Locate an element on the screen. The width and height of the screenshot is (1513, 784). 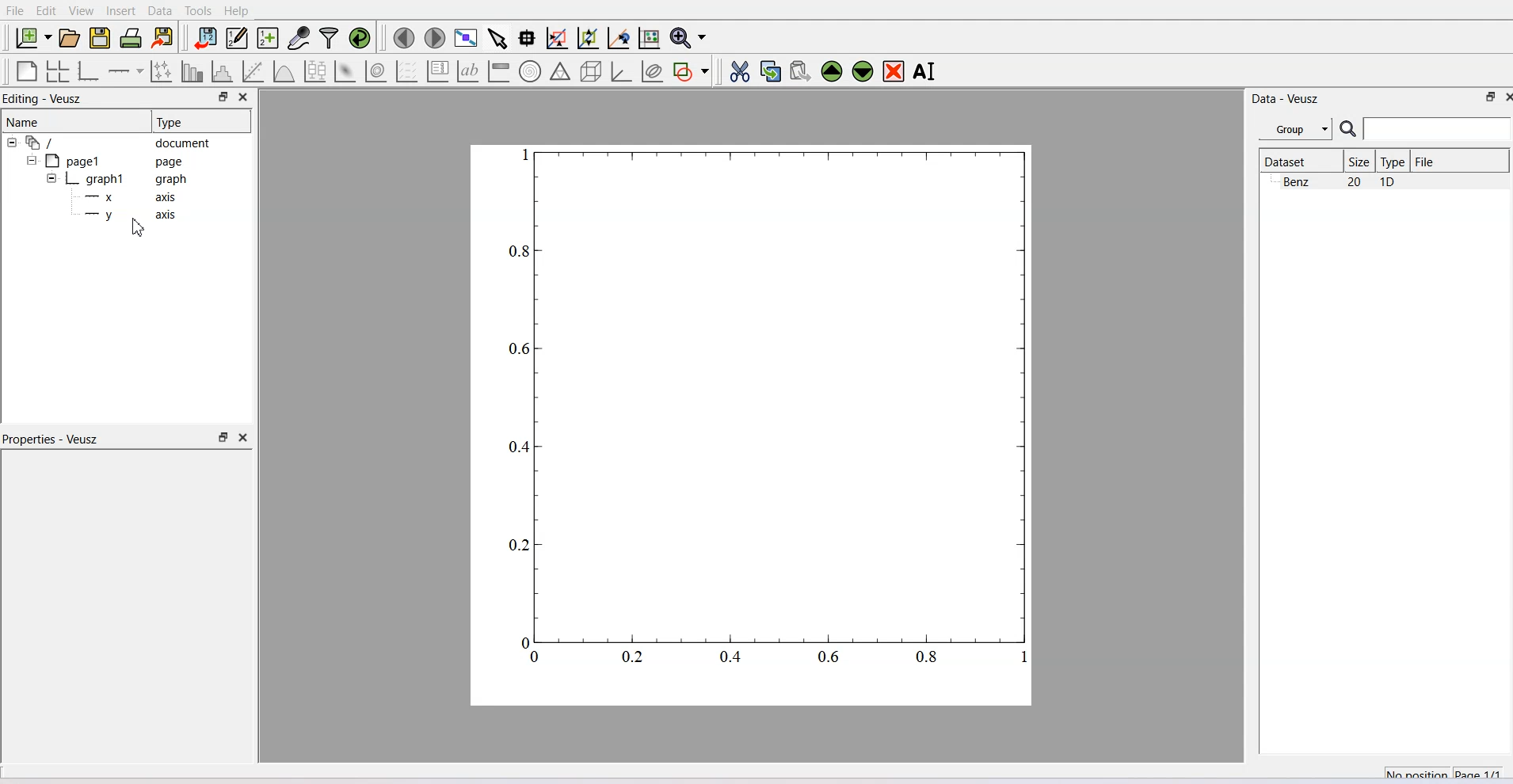
Move to the previous page is located at coordinates (403, 38).